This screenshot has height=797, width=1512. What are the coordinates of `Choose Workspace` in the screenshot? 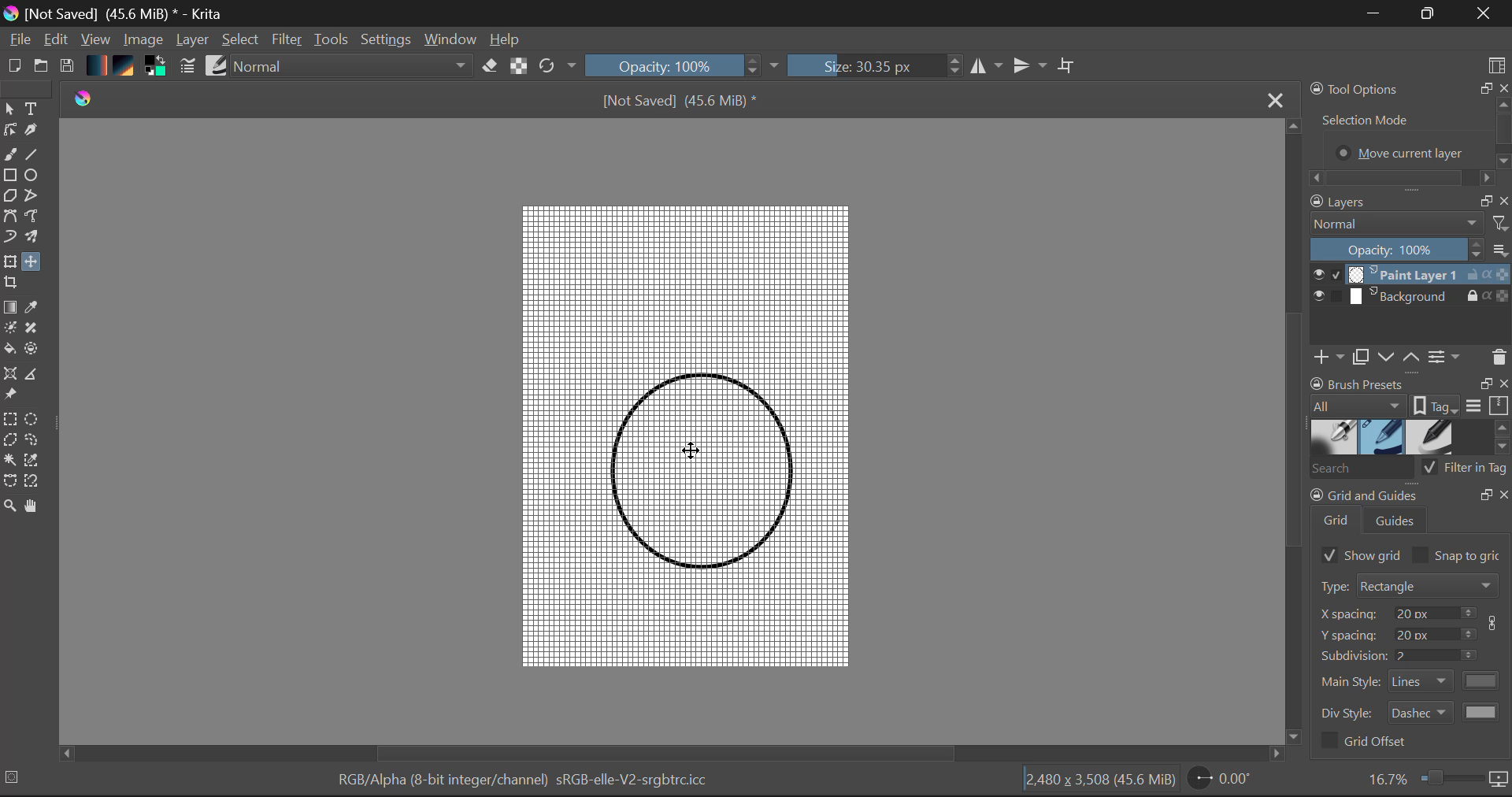 It's located at (1498, 64).